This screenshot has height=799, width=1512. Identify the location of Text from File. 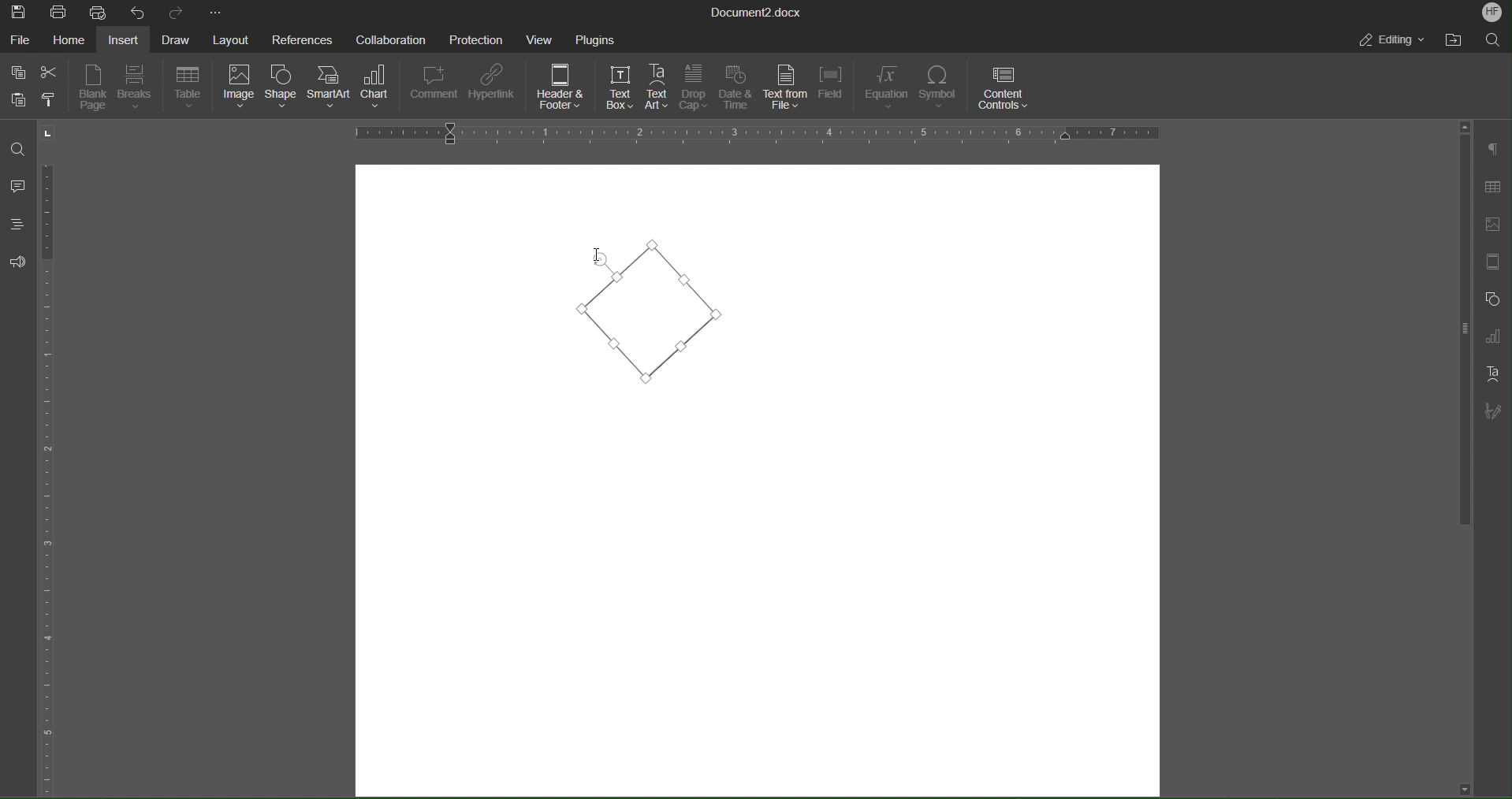
(784, 87).